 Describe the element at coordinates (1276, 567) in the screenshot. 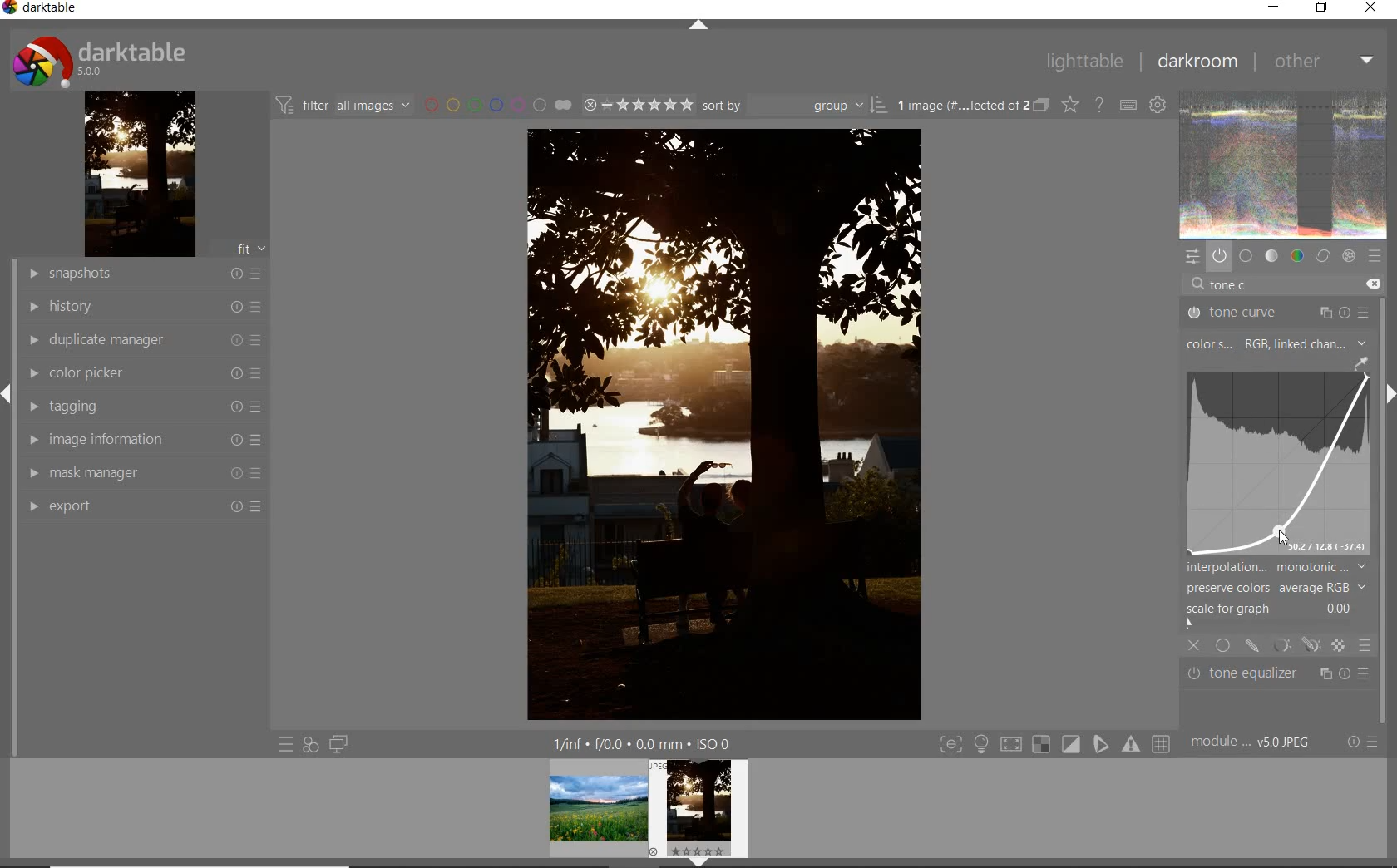

I see `interpolation` at that location.